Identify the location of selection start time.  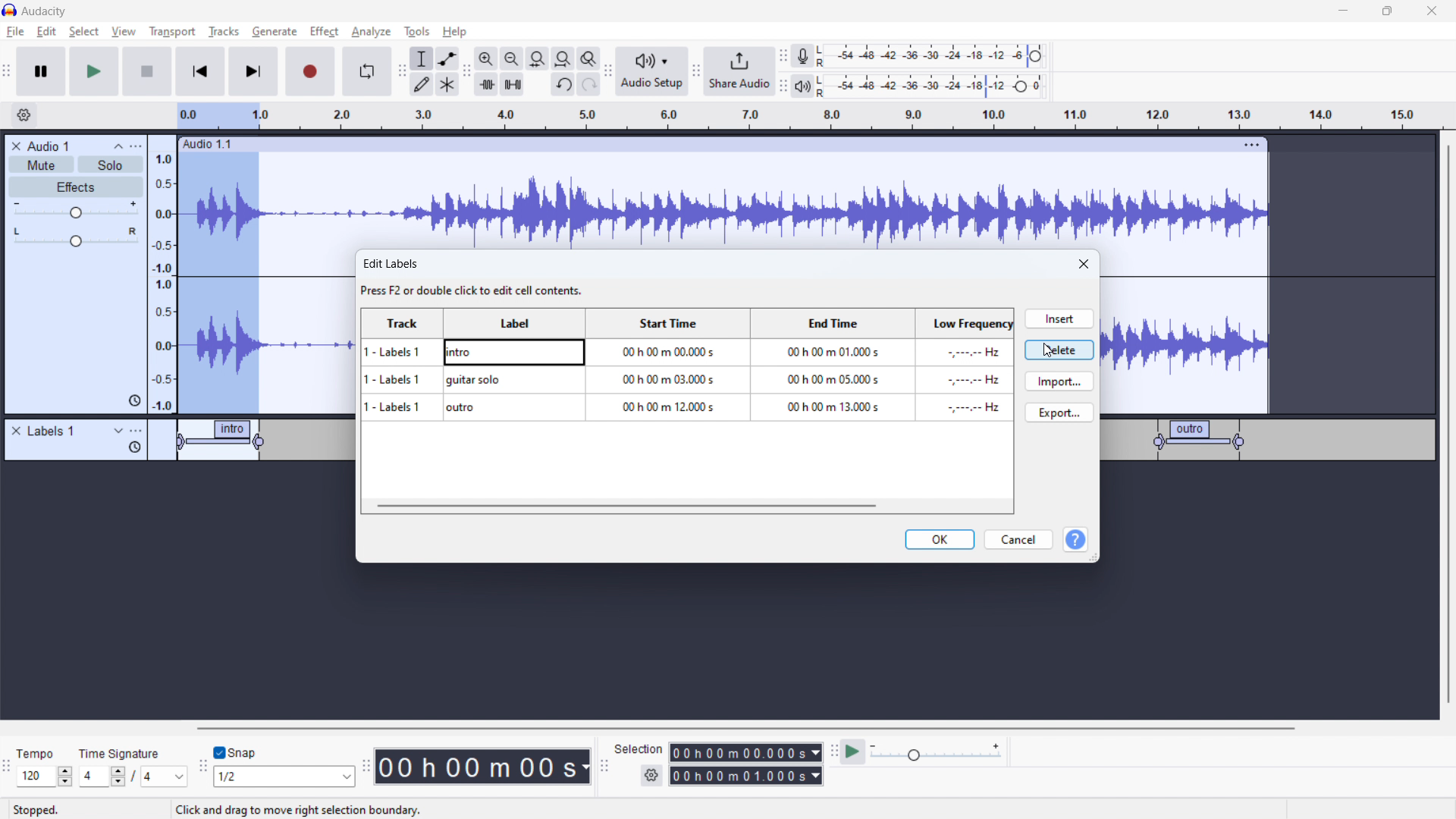
(746, 752).